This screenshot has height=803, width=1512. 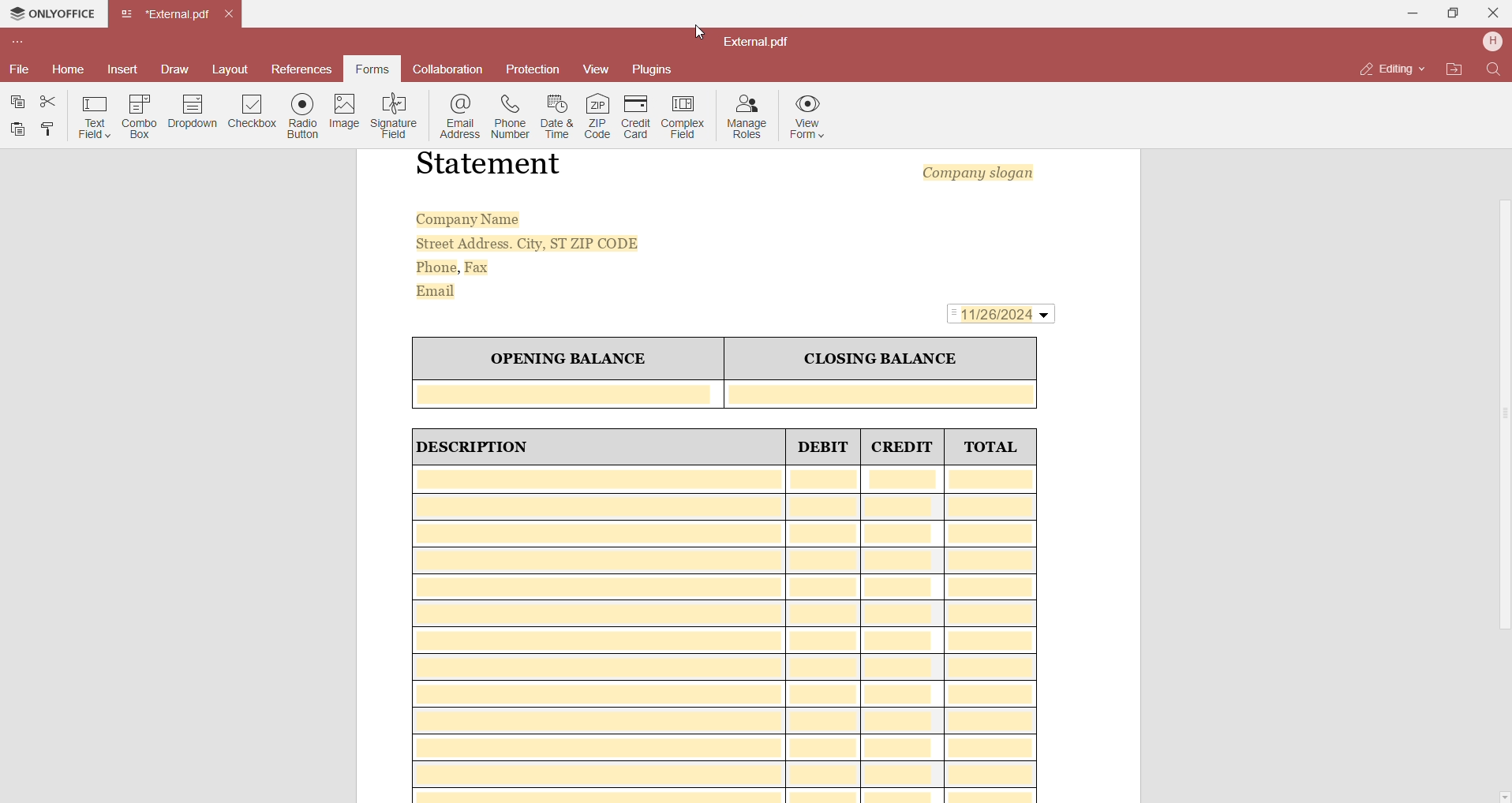 I want to click on Layout, so click(x=231, y=69).